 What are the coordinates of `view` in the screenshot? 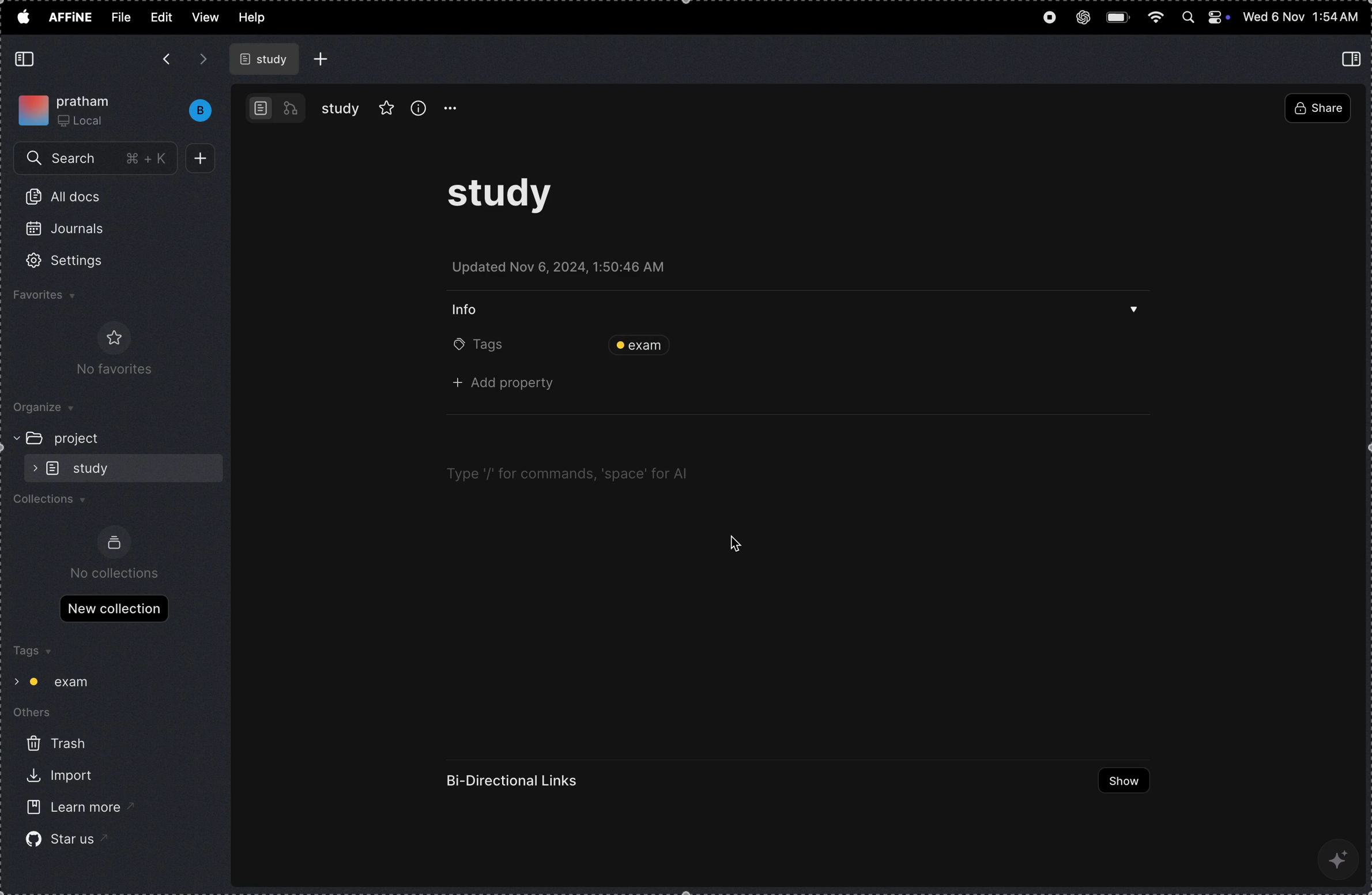 It's located at (205, 17).